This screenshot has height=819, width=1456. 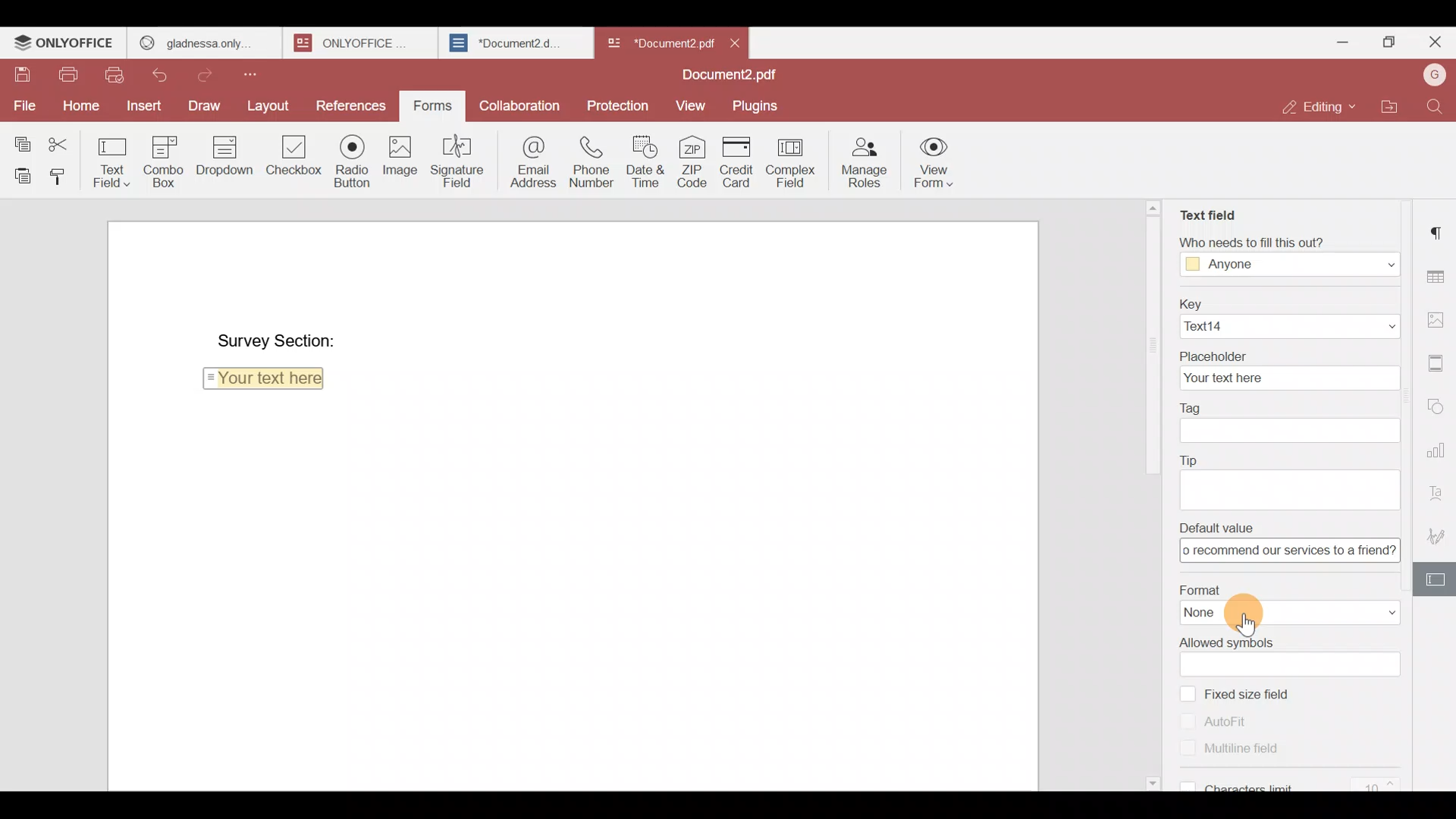 What do you see at coordinates (931, 162) in the screenshot?
I see `View form` at bounding box center [931, 162].